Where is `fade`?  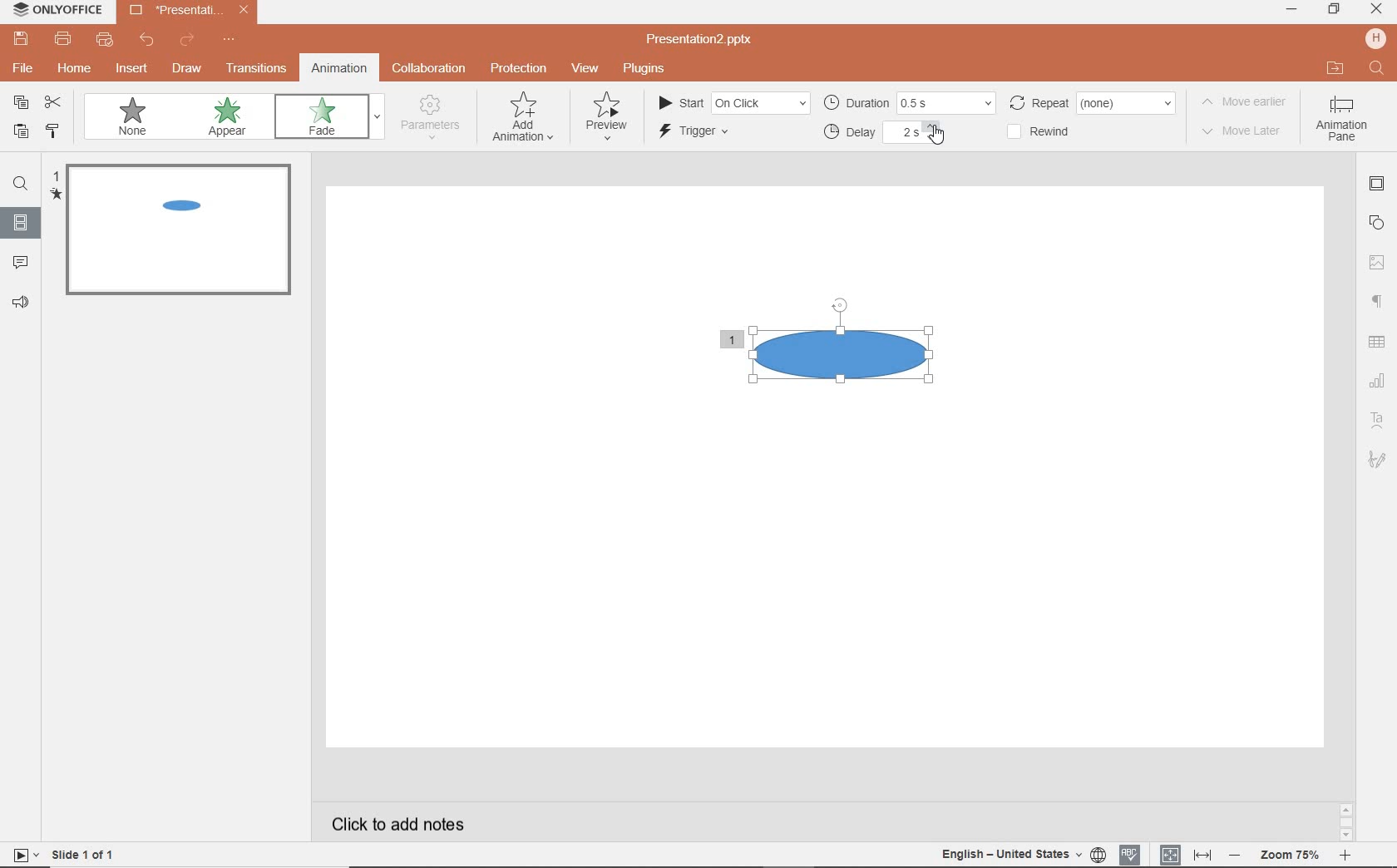
fade is located at coordinates (322, 116).